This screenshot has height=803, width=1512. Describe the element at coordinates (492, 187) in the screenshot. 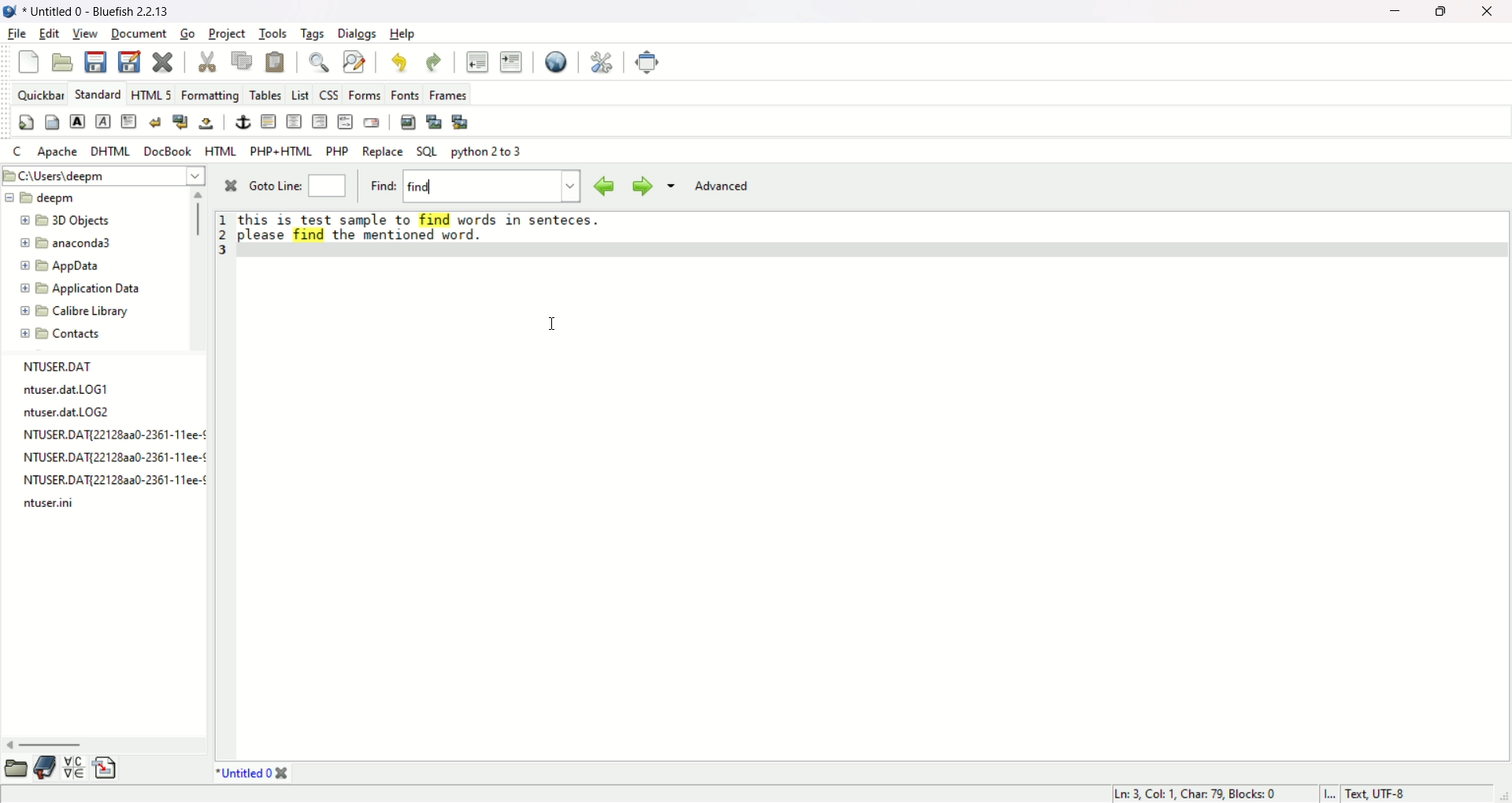

I see `find` at that location.